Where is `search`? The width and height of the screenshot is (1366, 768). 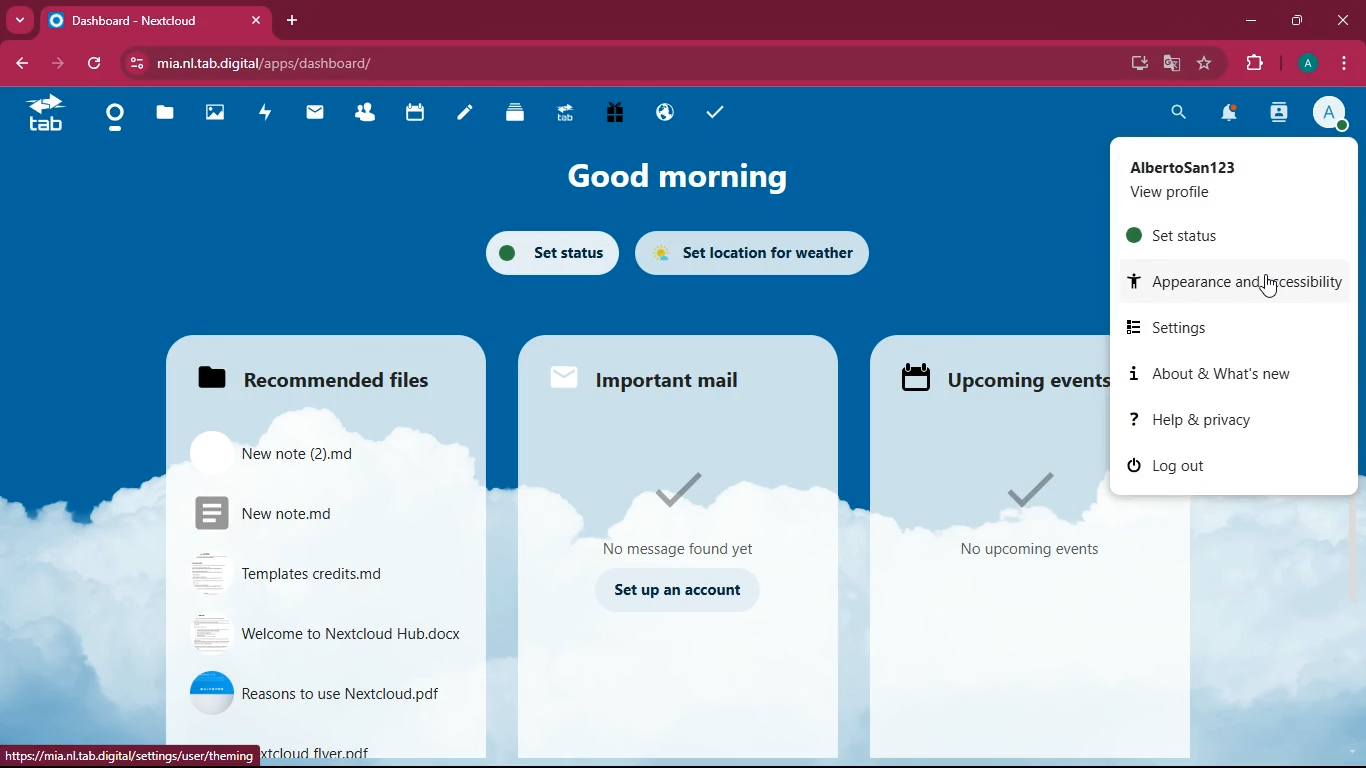 search is located at coordinates (1174, 112).